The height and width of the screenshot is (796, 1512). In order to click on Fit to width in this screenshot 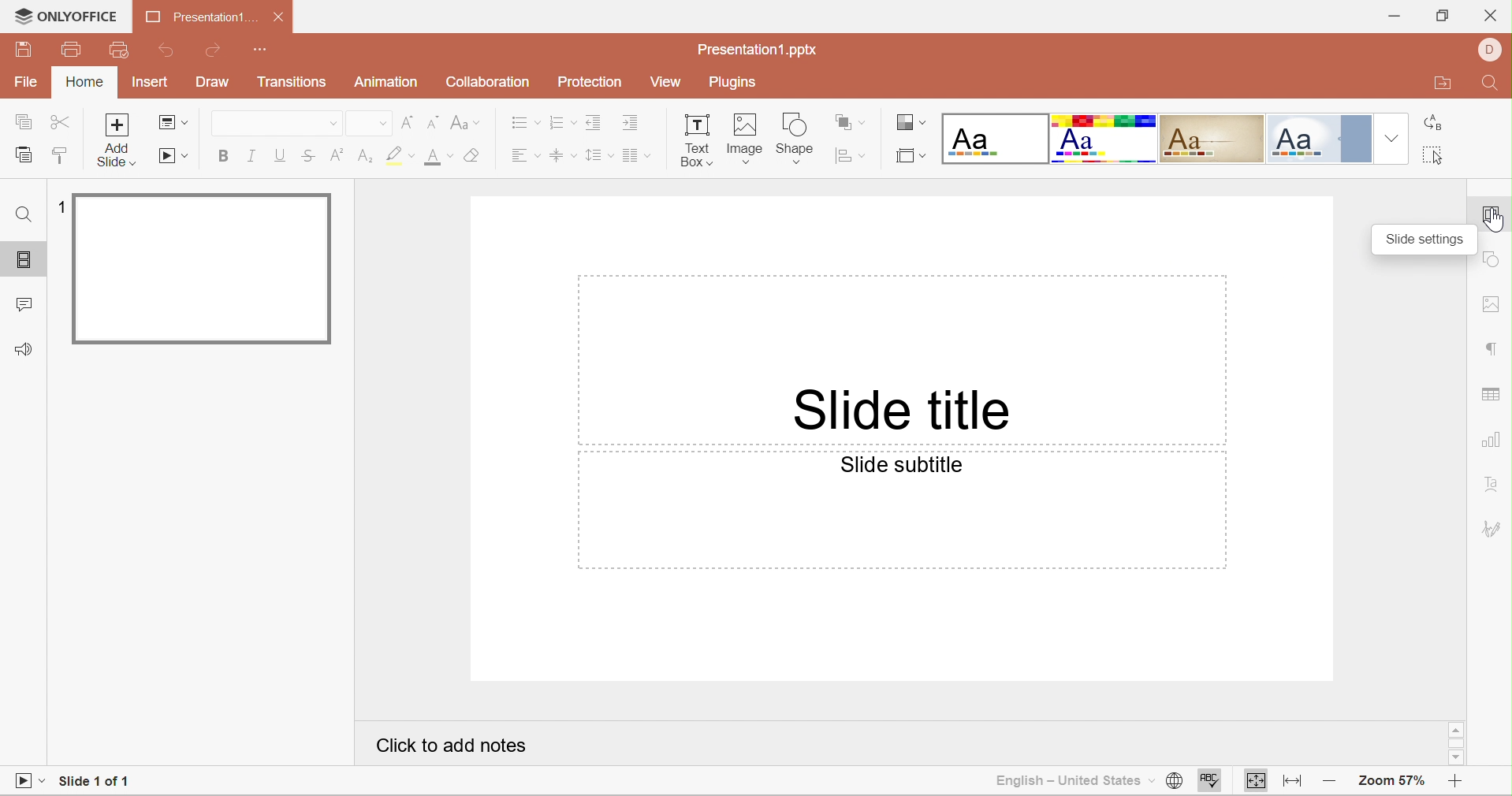, I will do `click(1295, 783)`.